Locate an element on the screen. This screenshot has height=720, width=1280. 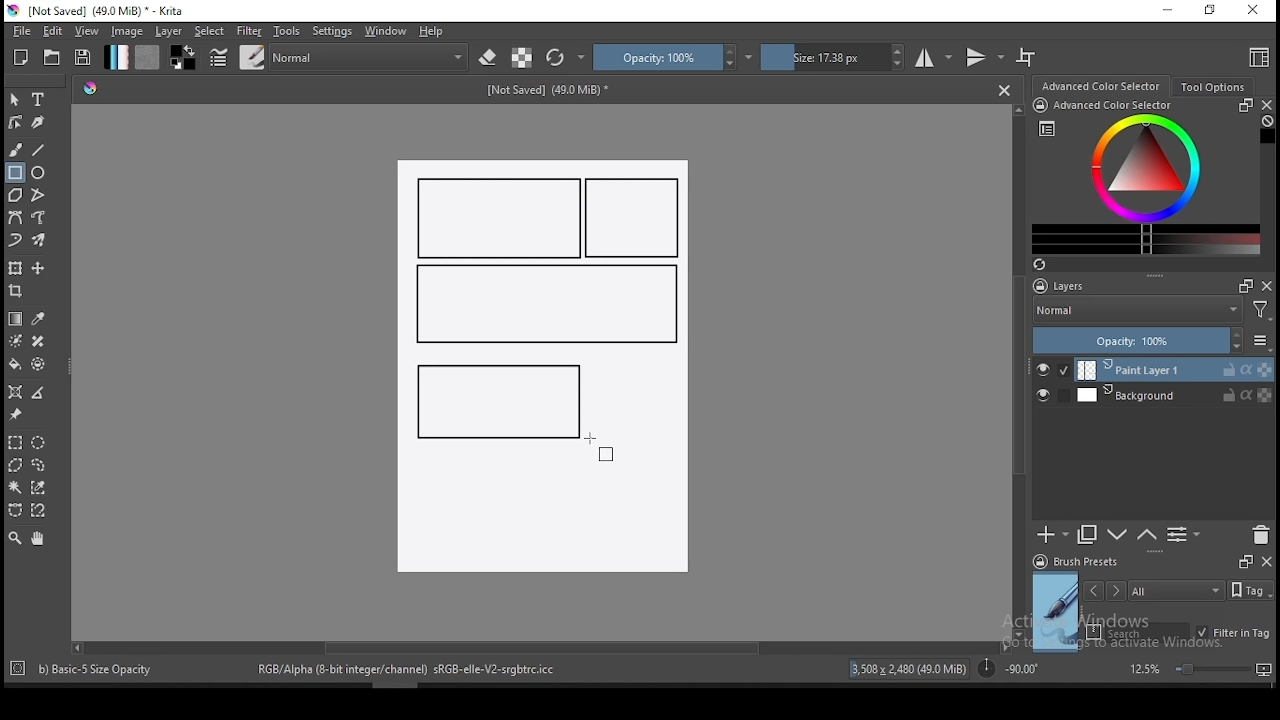
zoom tool is located at coordinates (15, 537).